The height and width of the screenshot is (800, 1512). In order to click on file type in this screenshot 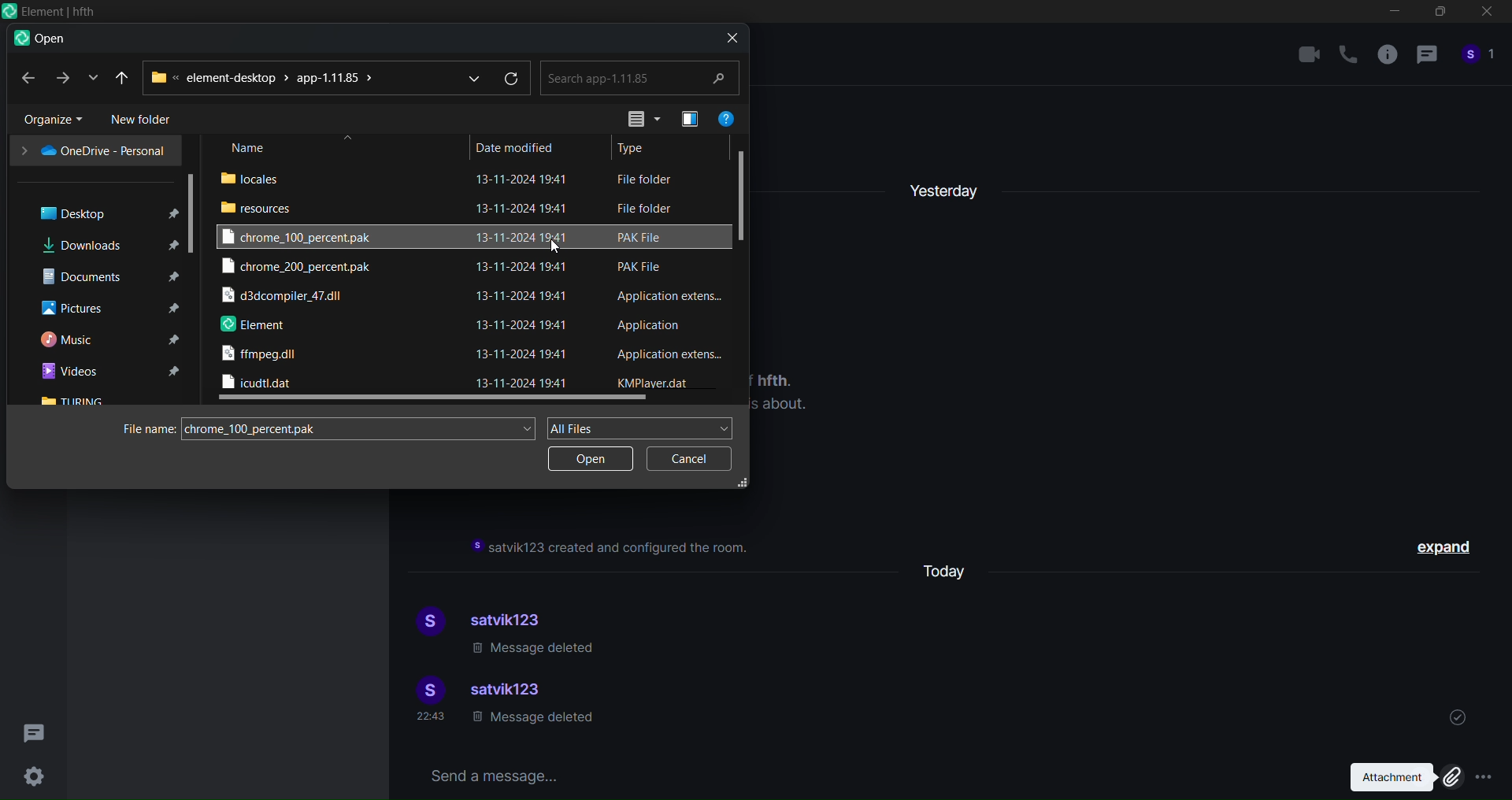, I will do `click(668, 280)`.